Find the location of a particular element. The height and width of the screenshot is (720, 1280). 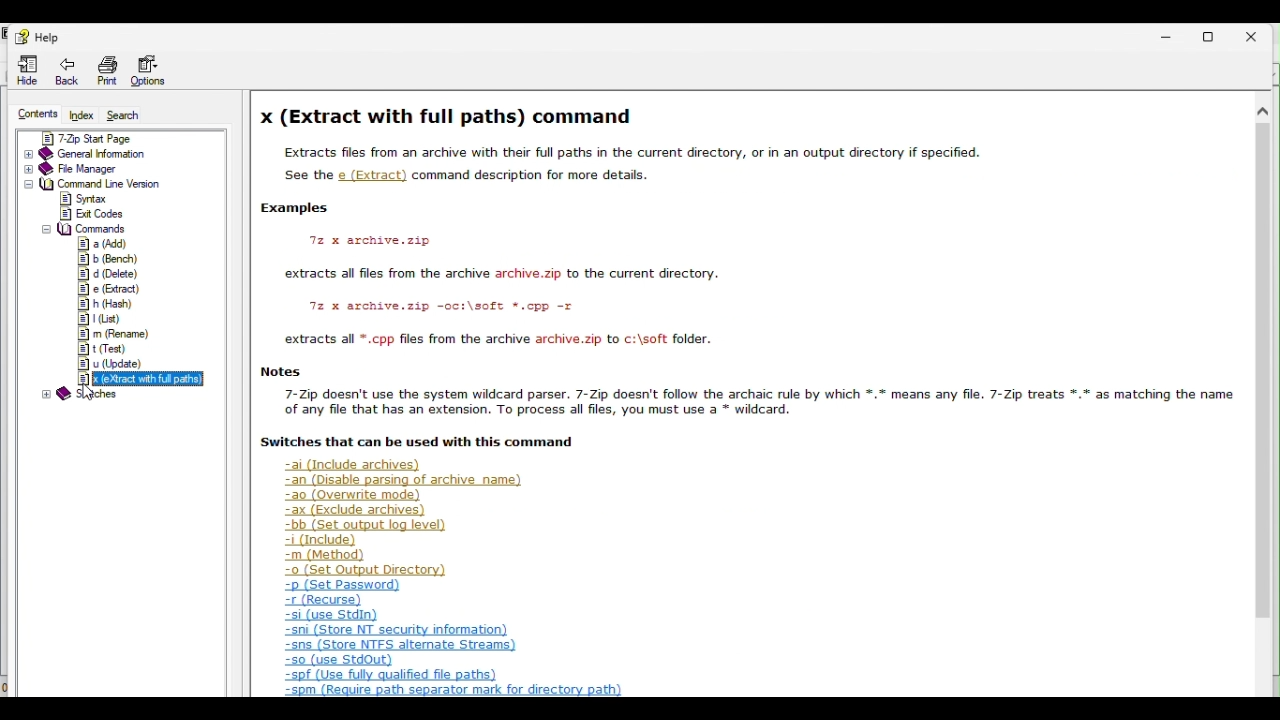

h (Harsh) is located at coordinates (110, 303).